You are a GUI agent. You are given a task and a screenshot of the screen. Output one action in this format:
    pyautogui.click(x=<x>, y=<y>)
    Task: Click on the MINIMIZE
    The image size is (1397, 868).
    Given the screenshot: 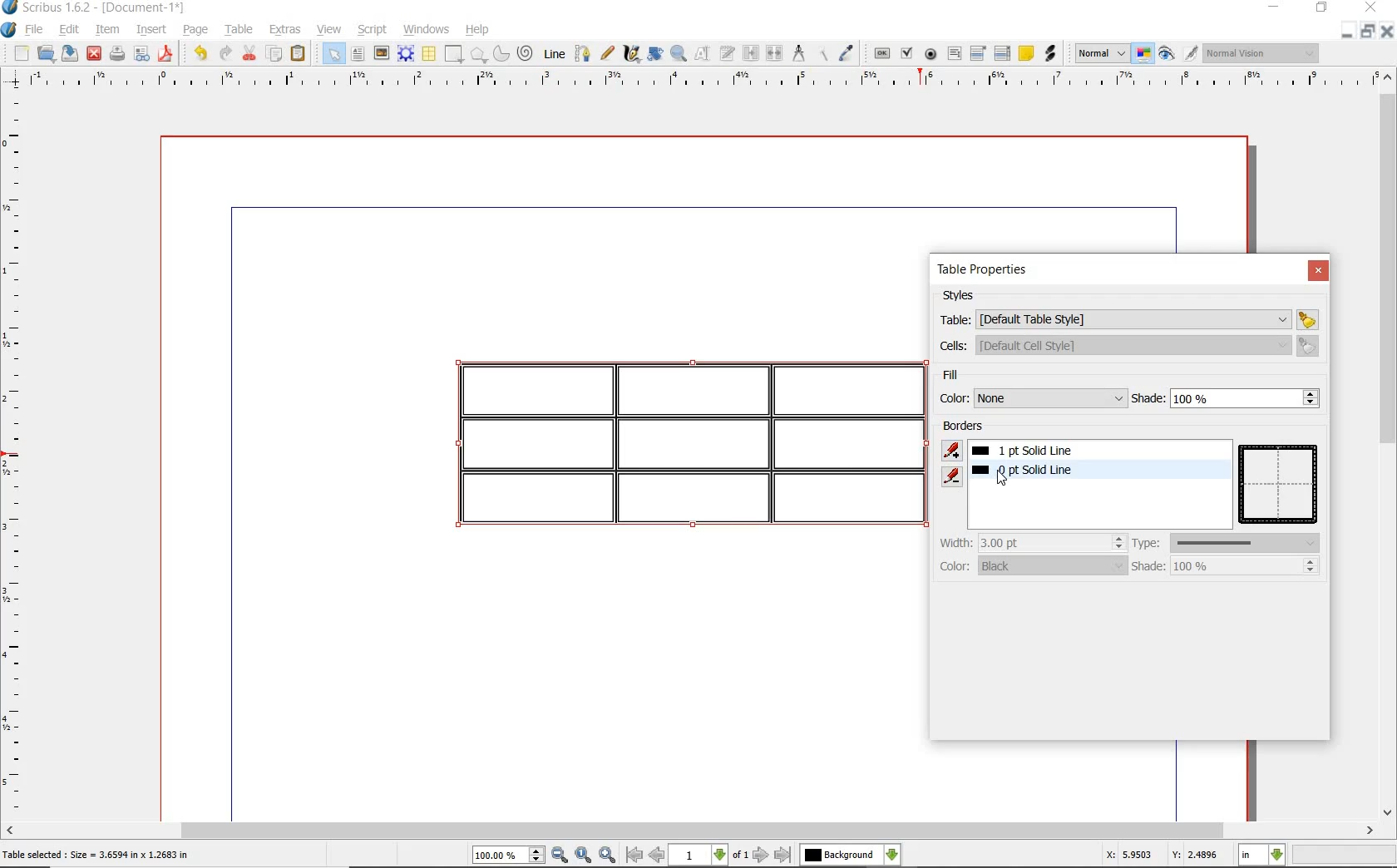 What is the action you would take?
    pyautogui.click(x=1273, y=7)
    